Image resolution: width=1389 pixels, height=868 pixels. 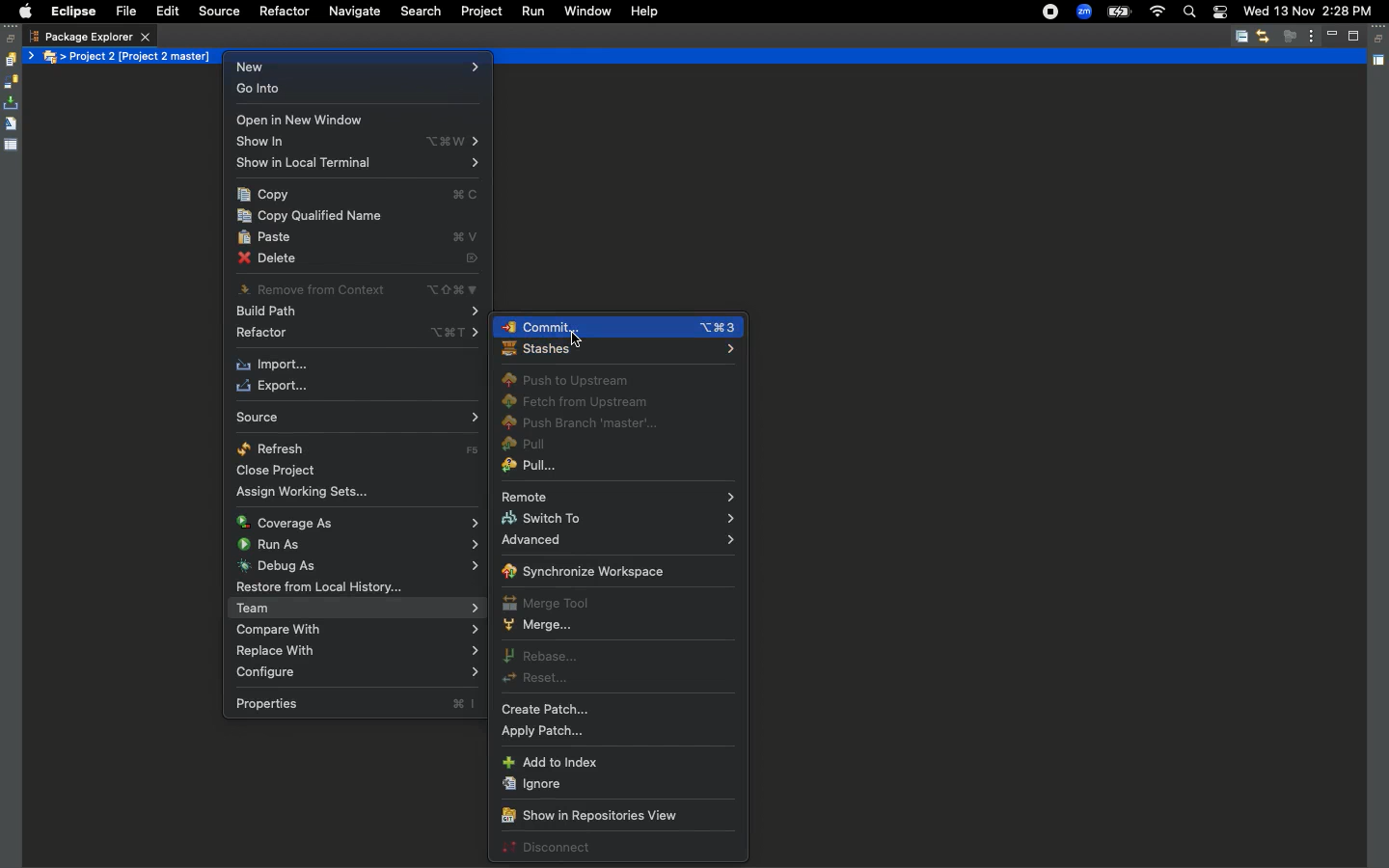 I want to click on Delete, so click(x=364, y=258).